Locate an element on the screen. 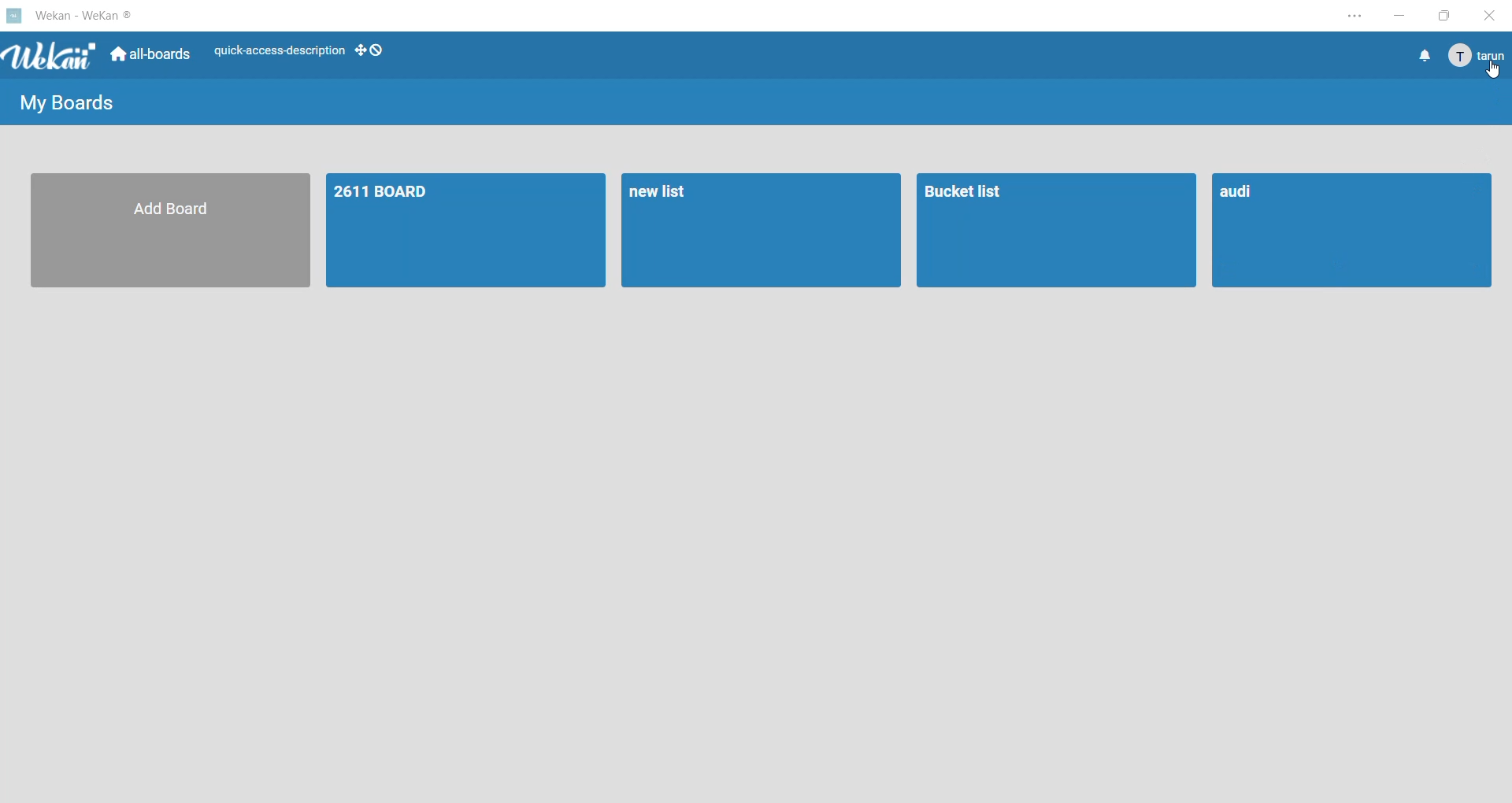  menu is located at coordinates (1475, 57).